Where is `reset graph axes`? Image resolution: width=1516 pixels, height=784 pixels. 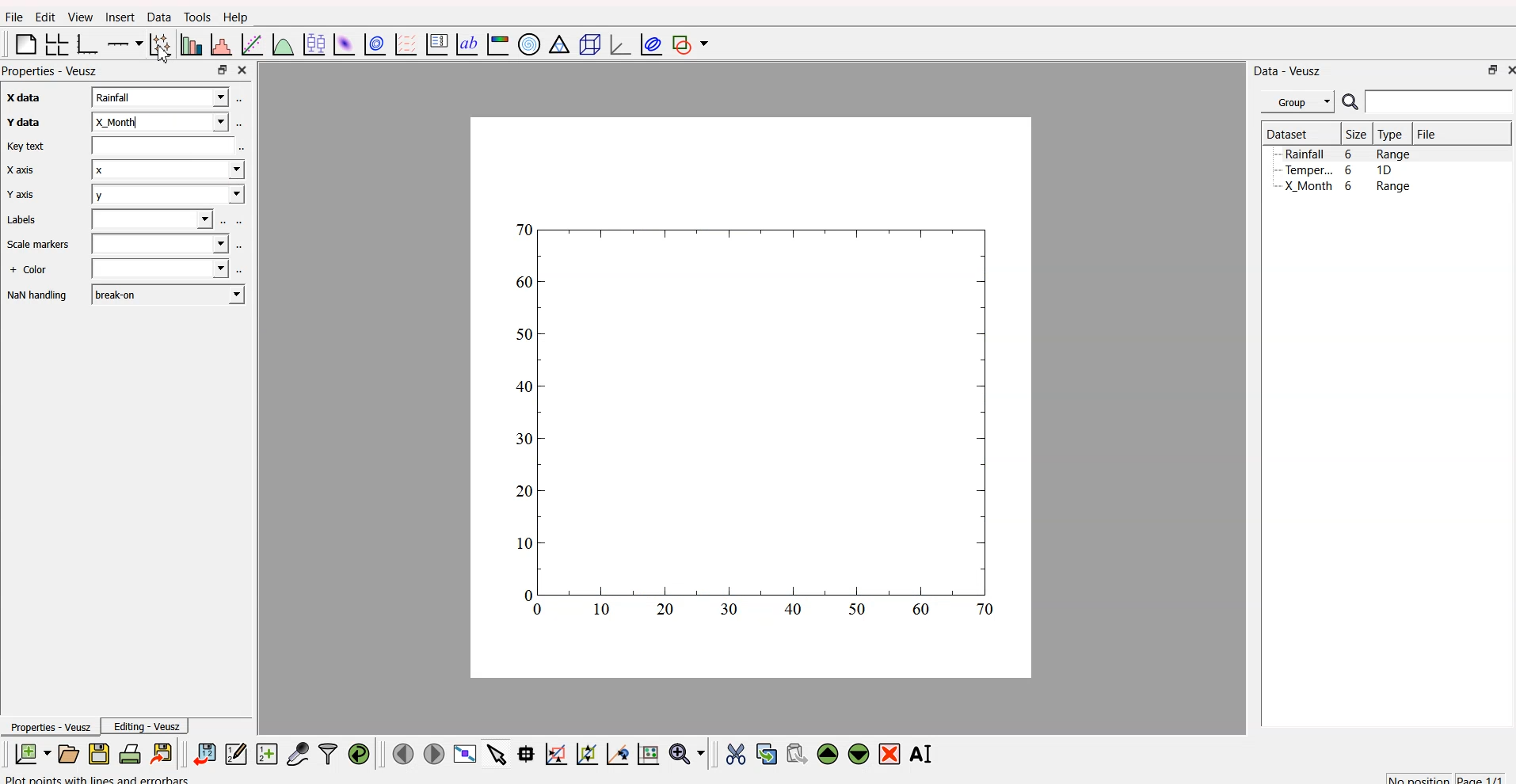
reset graph axes is located at coordinates (651, 752).